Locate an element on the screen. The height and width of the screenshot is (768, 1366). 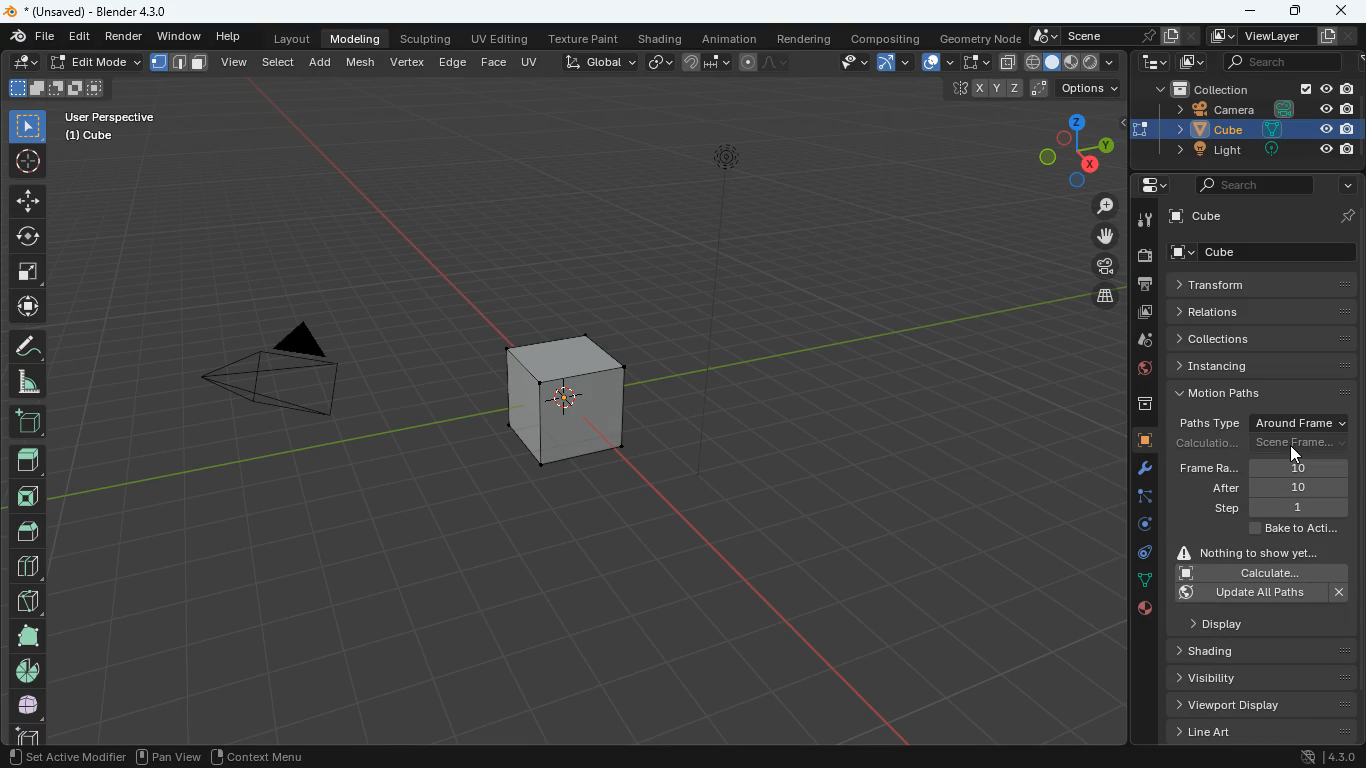
relations is located at coordinates (1260, 310).